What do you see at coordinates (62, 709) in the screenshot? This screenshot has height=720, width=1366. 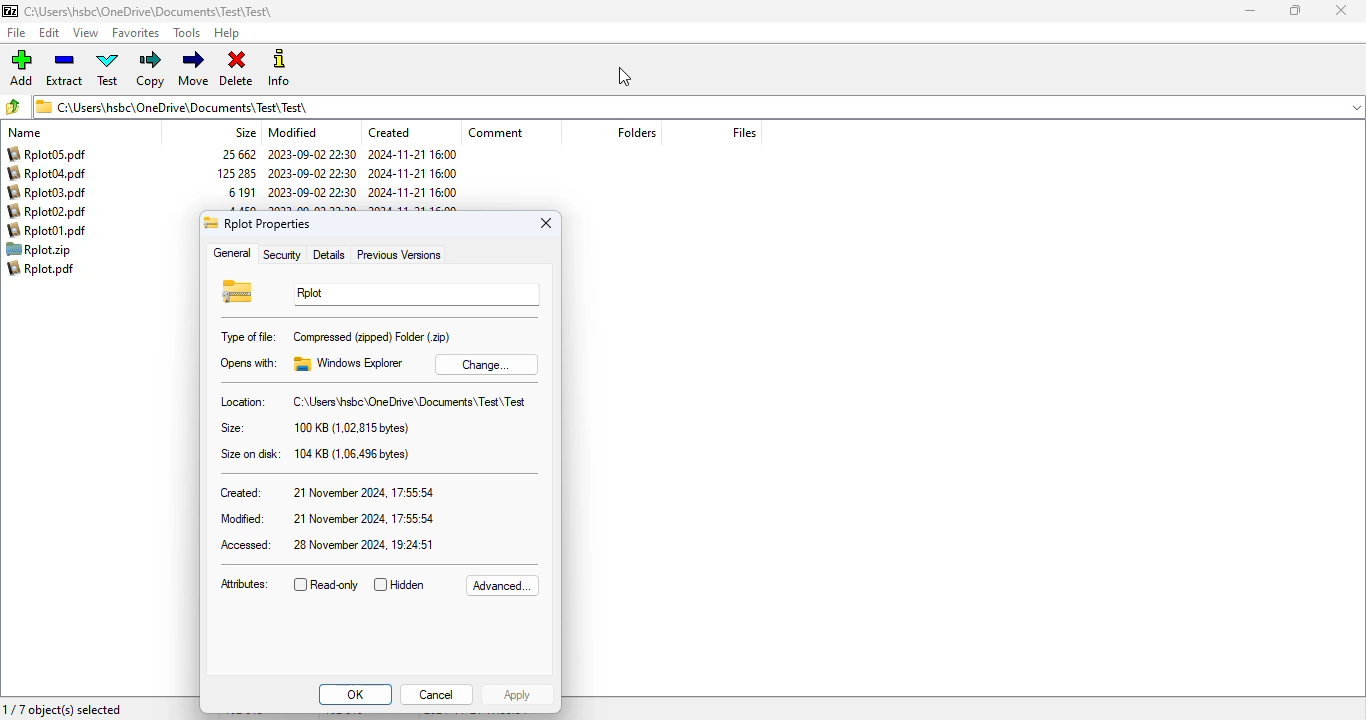 I see `1/7 object(s) selected` at bounding box center [62, 709].